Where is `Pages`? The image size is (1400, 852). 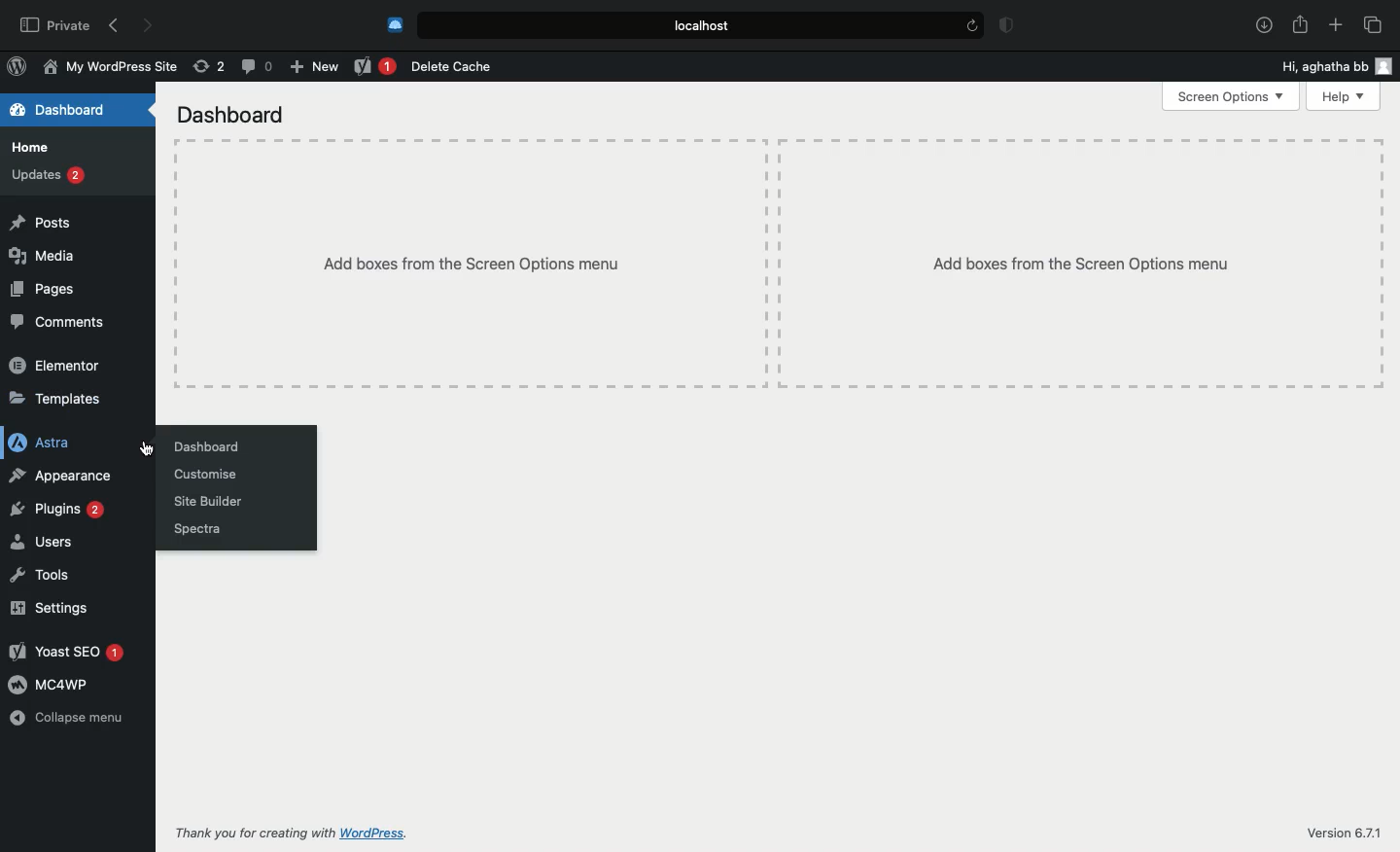 Pages is located at coordinates (43, 290).